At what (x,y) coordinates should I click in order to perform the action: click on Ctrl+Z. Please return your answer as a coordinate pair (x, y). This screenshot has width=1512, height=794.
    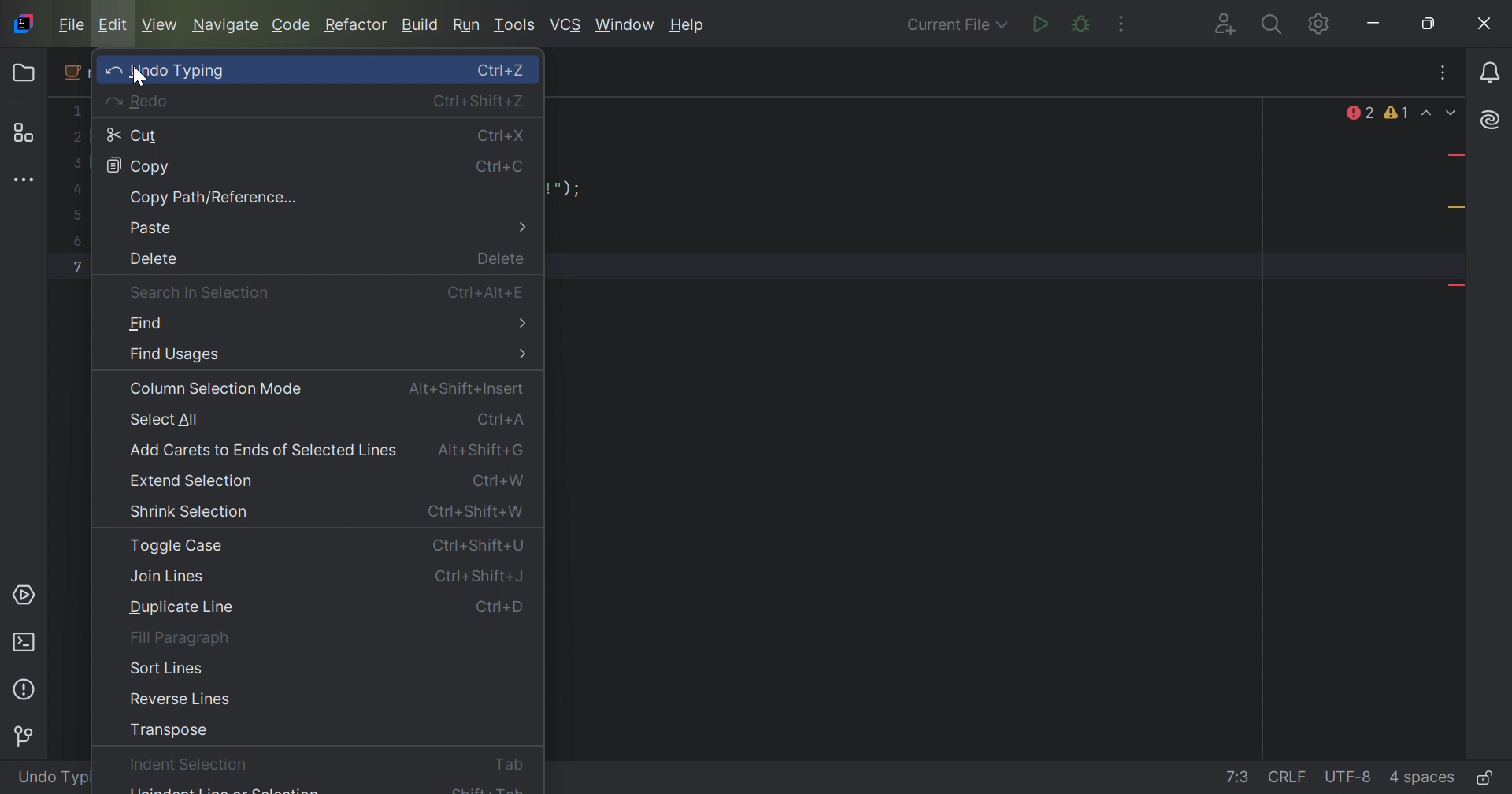
    Looking at the image, I should click on (504, 71).